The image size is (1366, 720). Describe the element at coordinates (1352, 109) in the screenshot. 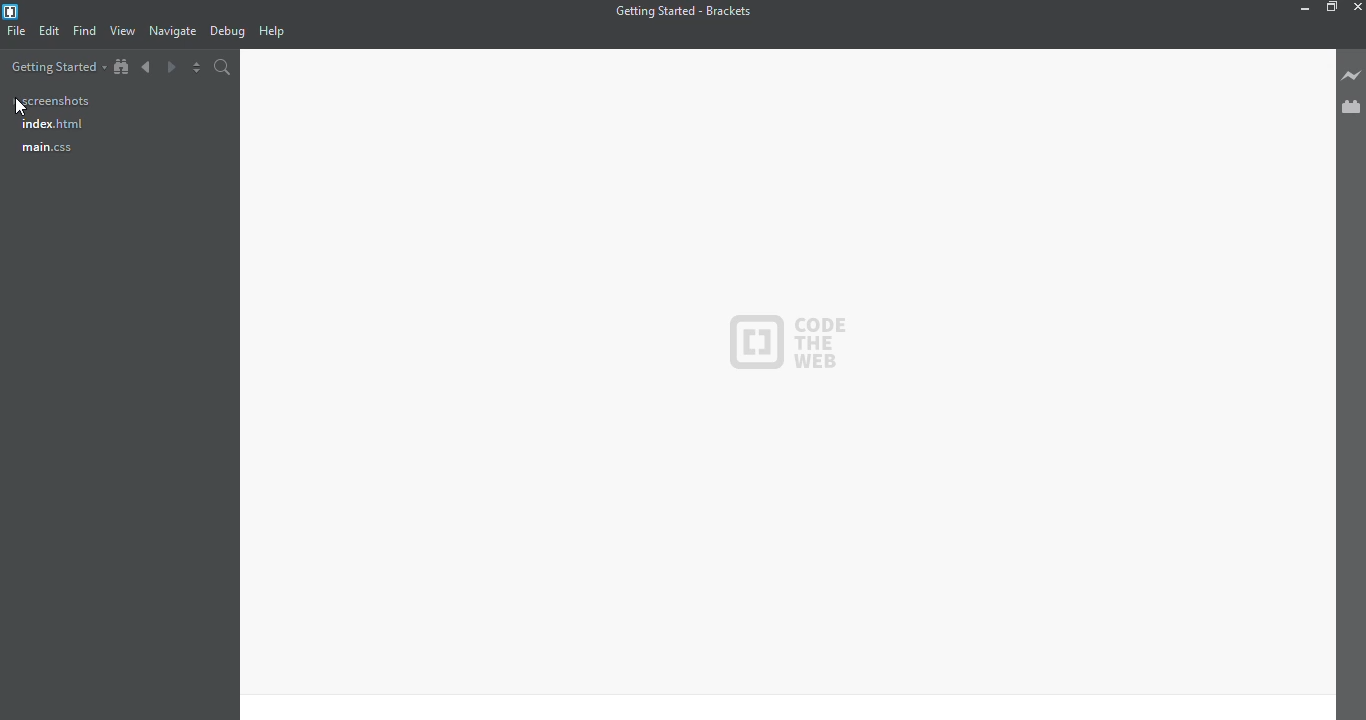

I see `extension manager` at that location.